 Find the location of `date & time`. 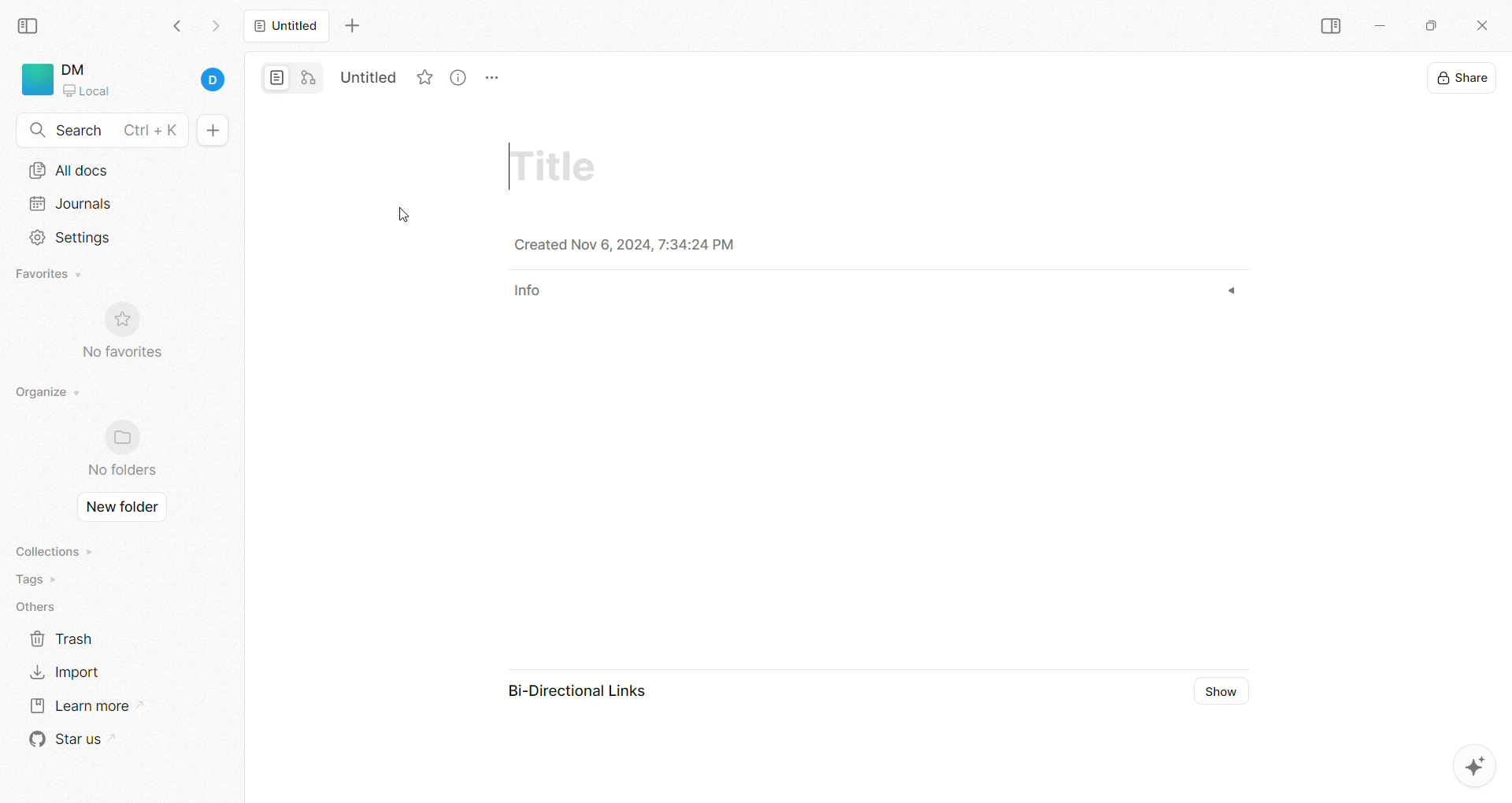

date & time is located at coordinates (646, 245).